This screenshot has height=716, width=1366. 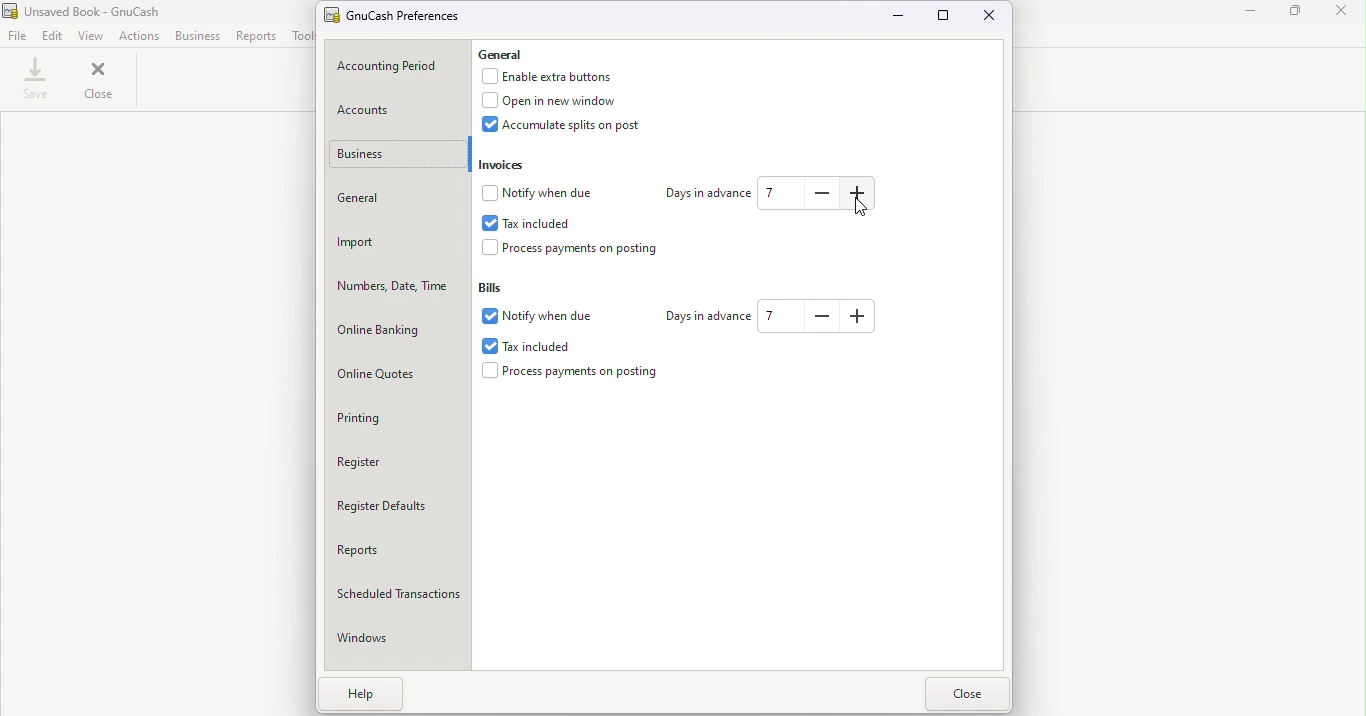 I want to click on File name, so click(x=89, y=11).